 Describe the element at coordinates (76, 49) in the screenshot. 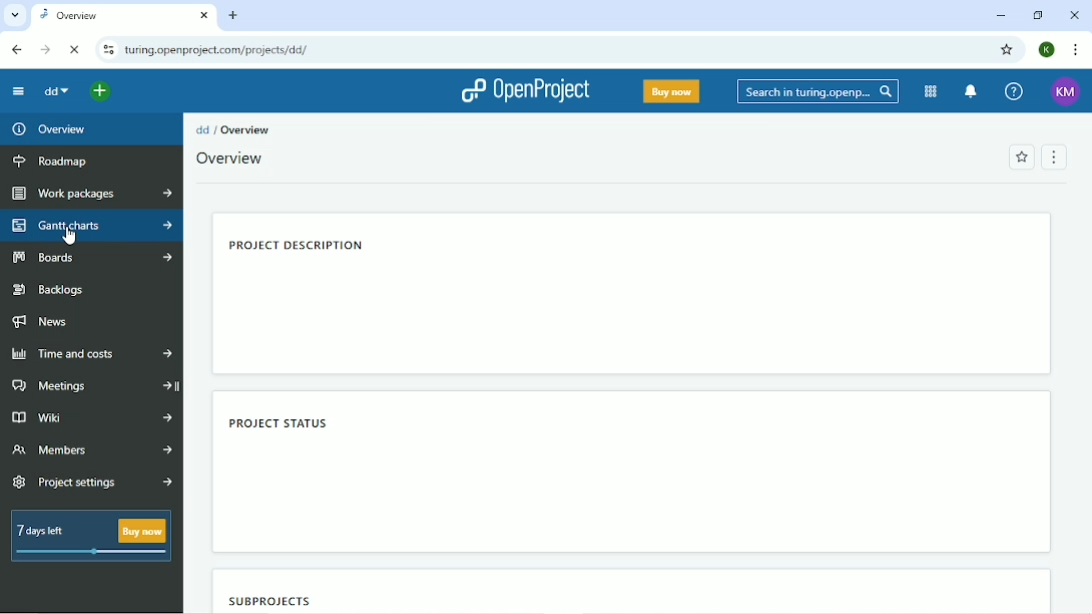

I see `Reload this page` at that location.